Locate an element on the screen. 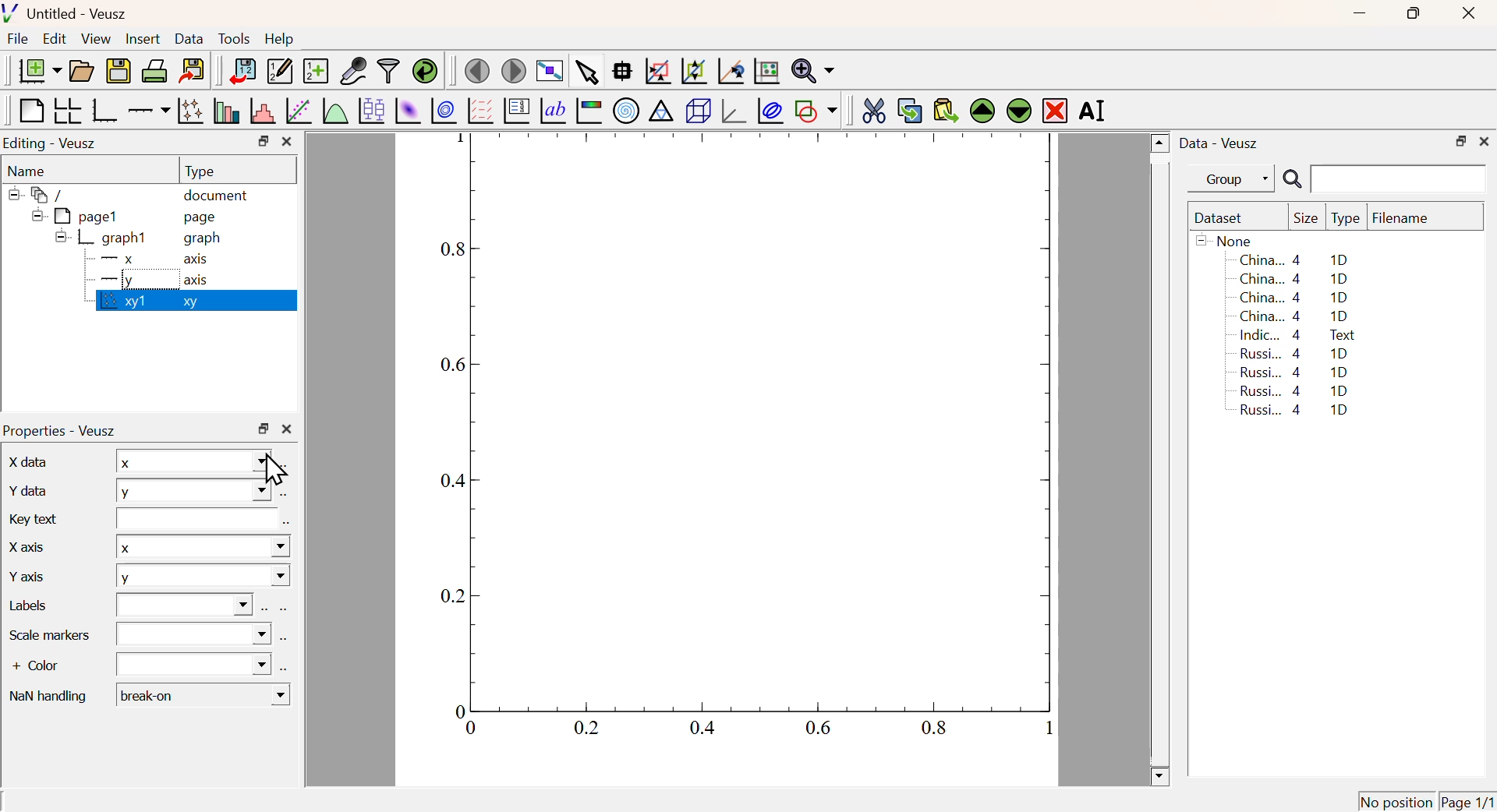 Image resolution: width=1497 pixels, height=812 pixels. X axis is located at coordinates (147, 259).